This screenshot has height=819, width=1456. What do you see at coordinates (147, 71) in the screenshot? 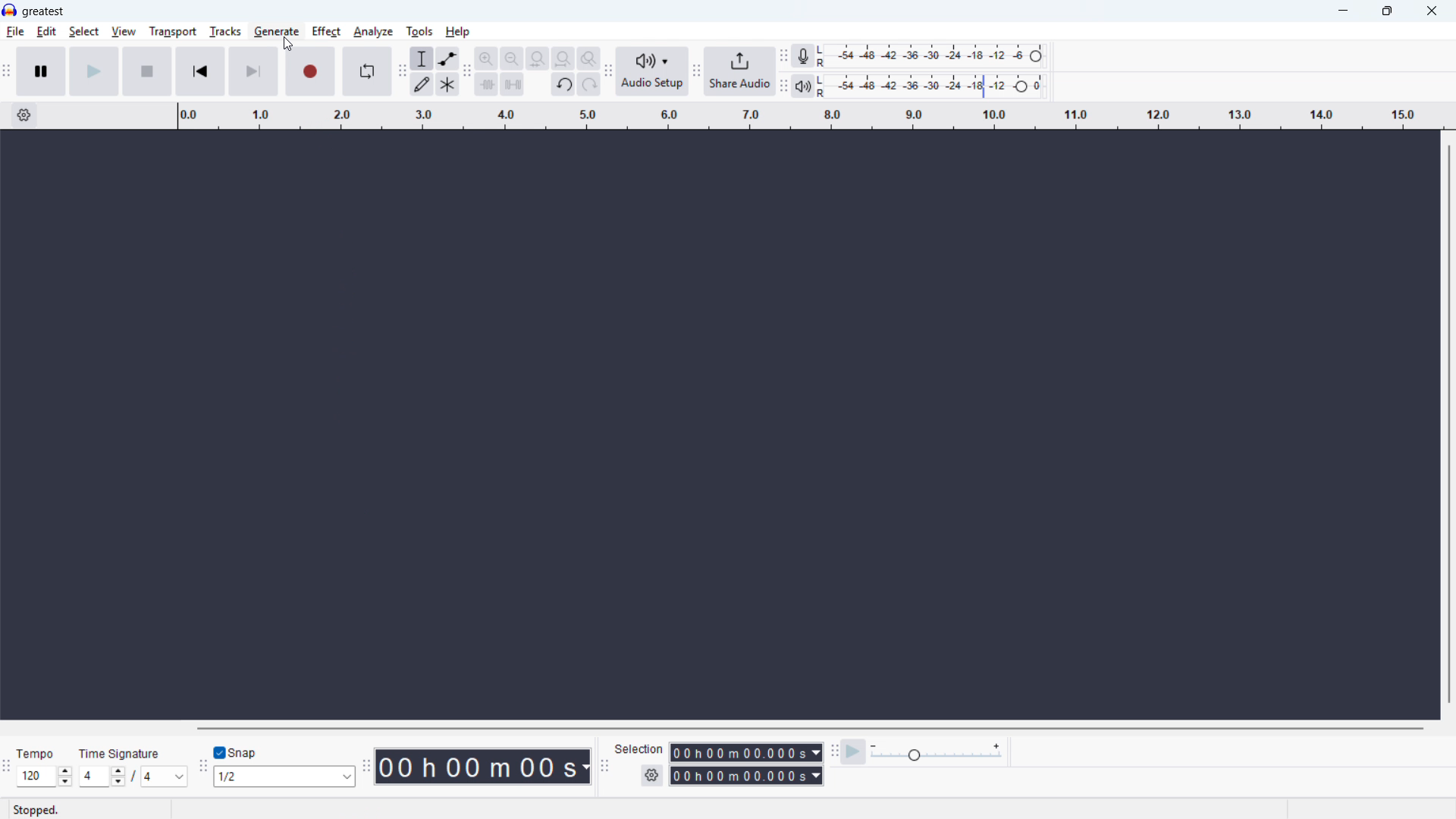
I see `stop` at bounding box center [147, 71].